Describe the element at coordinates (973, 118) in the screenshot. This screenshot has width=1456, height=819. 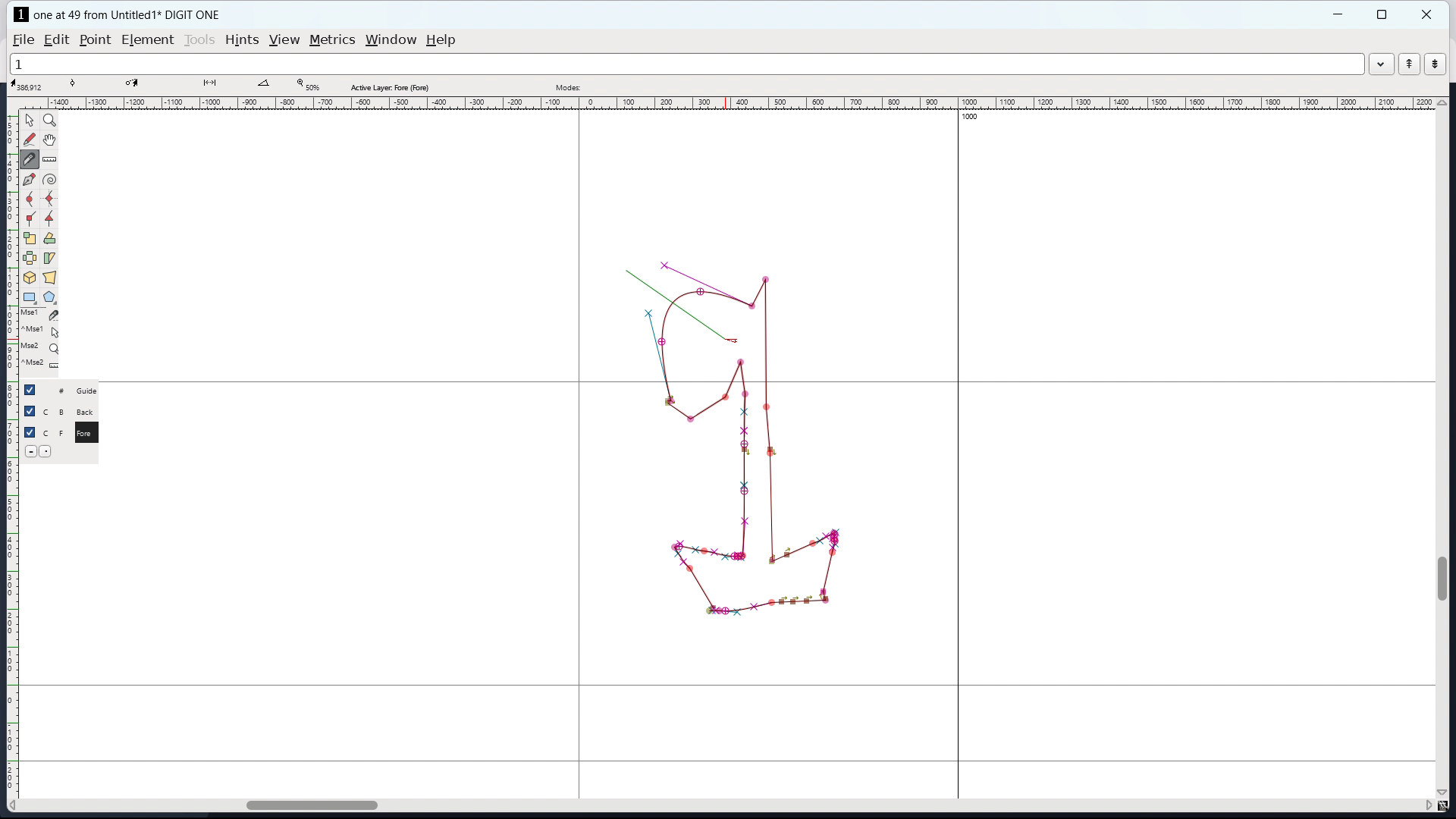
I see `1000` at that location.